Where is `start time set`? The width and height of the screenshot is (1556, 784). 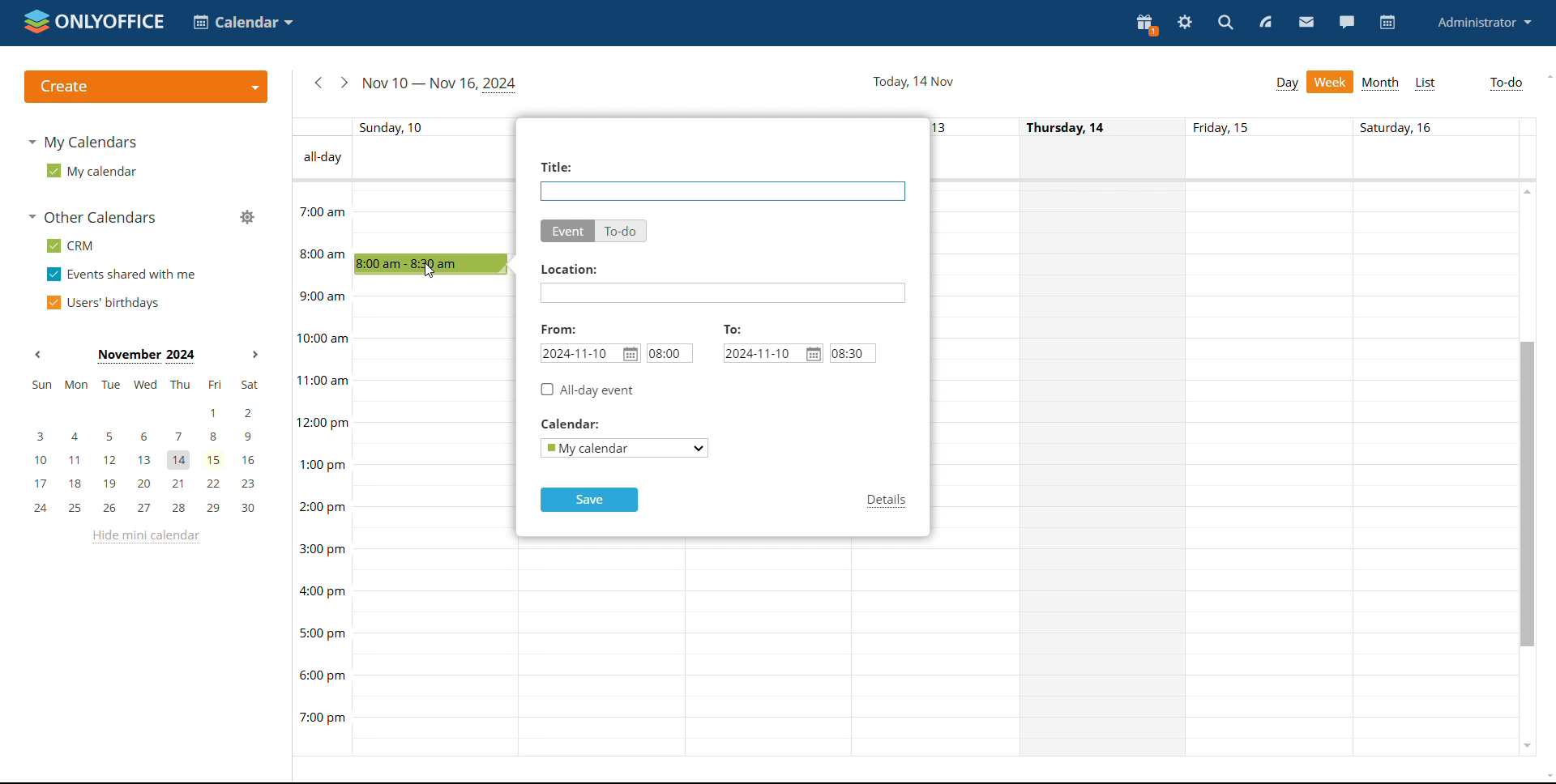
start time set is located at coordinates (669, 354).